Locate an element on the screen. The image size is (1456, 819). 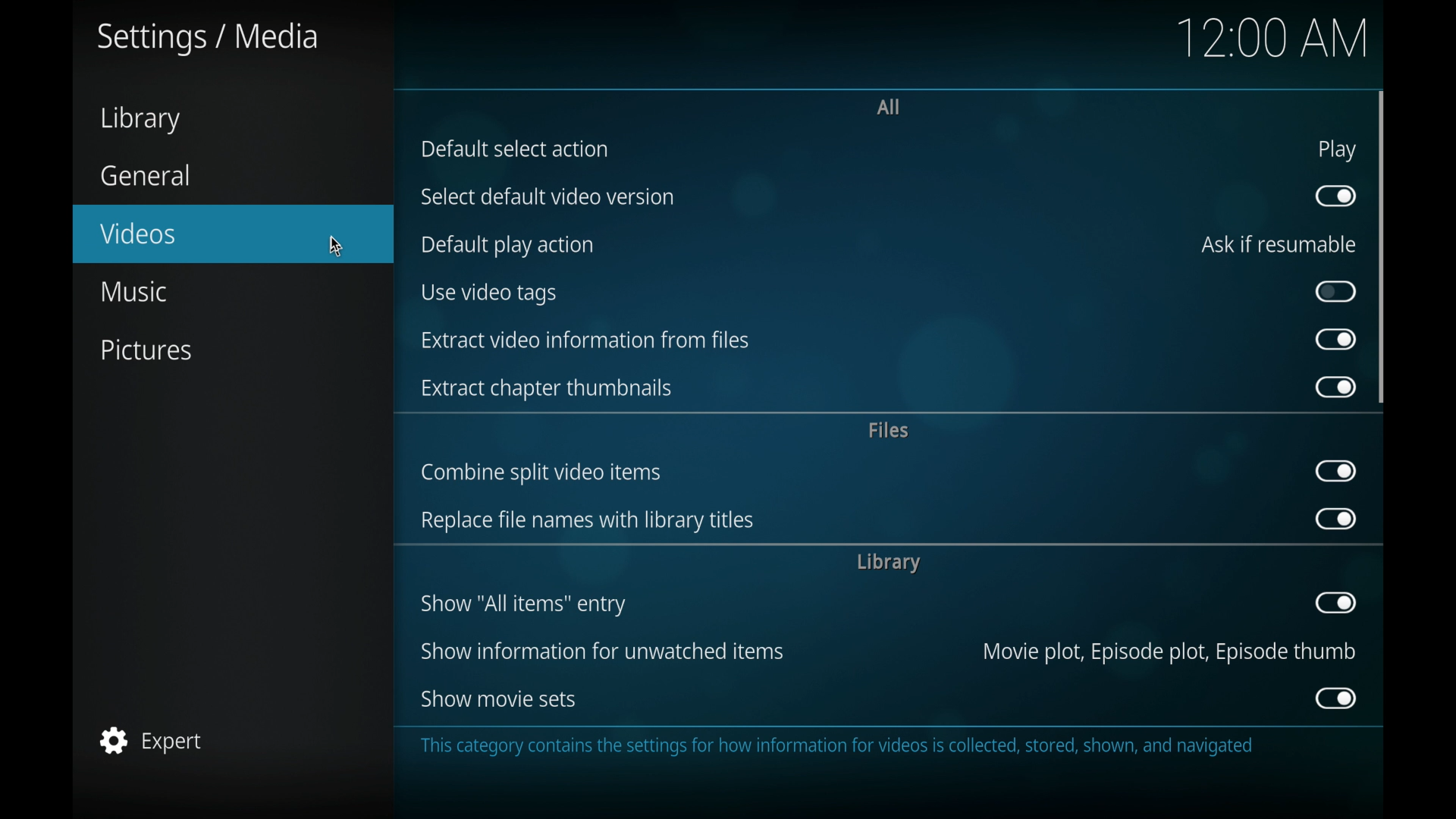
cursor is located at coordinates (337, 246).